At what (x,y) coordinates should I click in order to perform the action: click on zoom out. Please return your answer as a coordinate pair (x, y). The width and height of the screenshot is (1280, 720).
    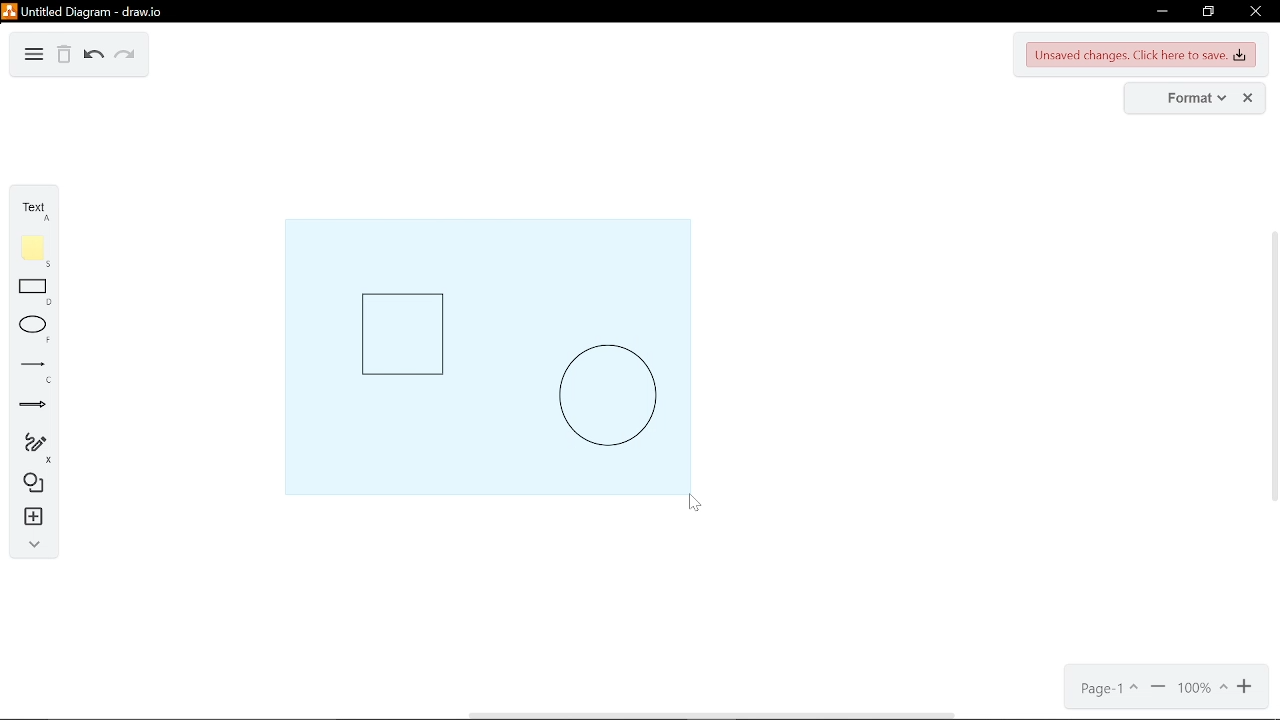
    Looking at the image, I should click on (1158, 689).